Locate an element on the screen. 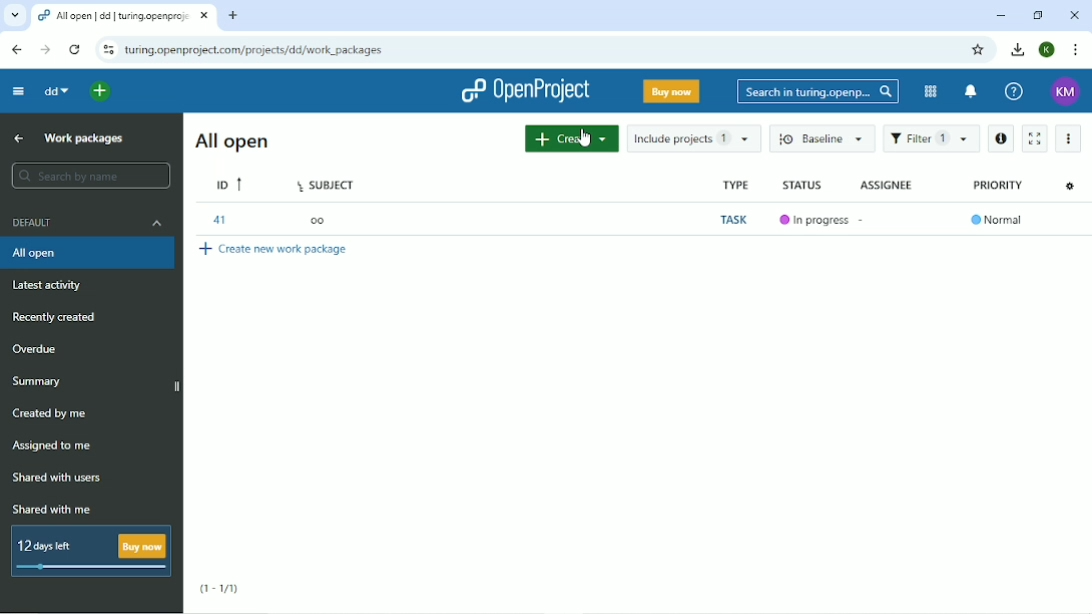 The image size is (1092, 614). Include projects 1 is located at coordinates (693, 138).